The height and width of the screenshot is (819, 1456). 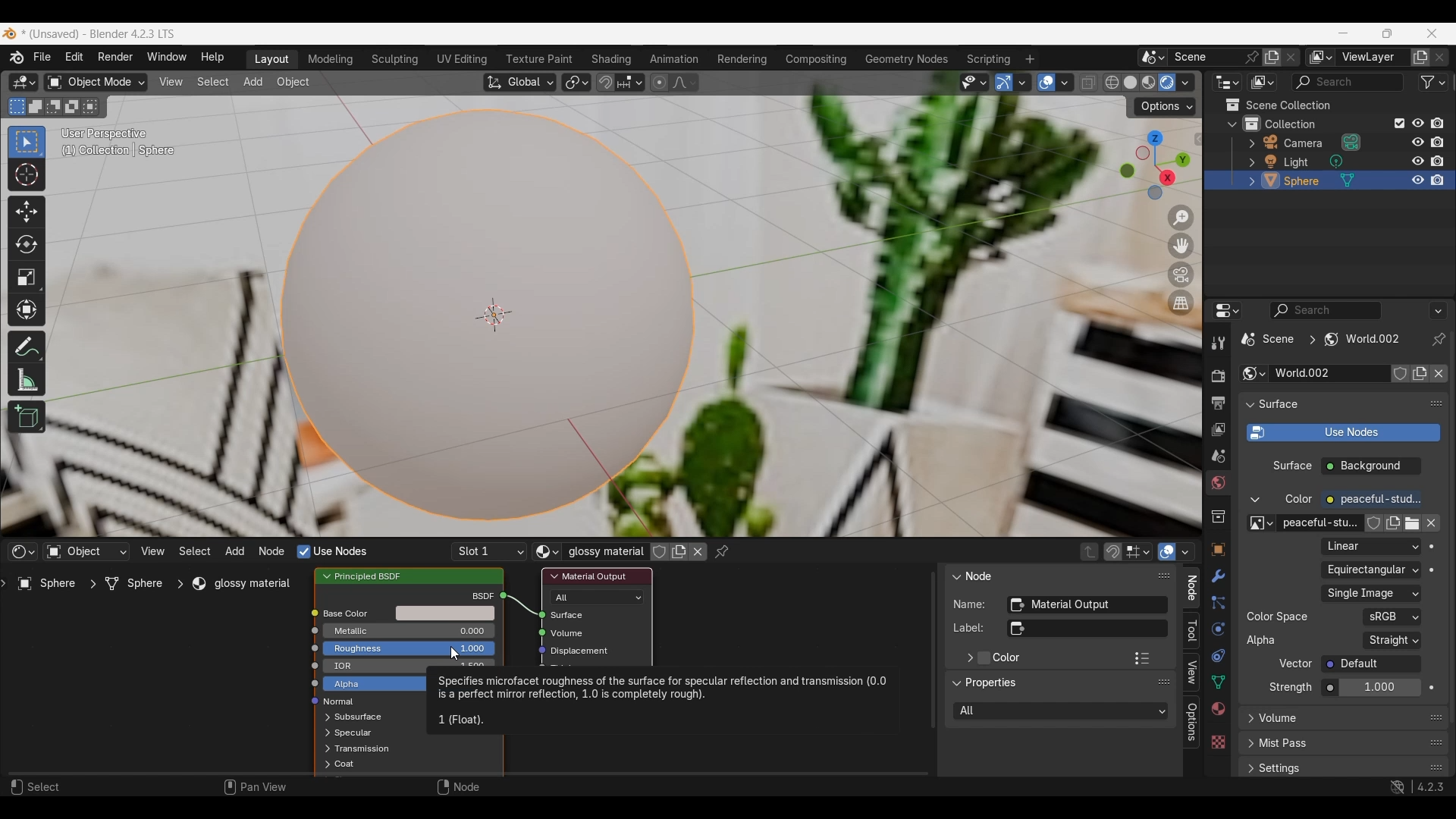 I want to click on Edit sphere options, so click(x=1271, y=180).